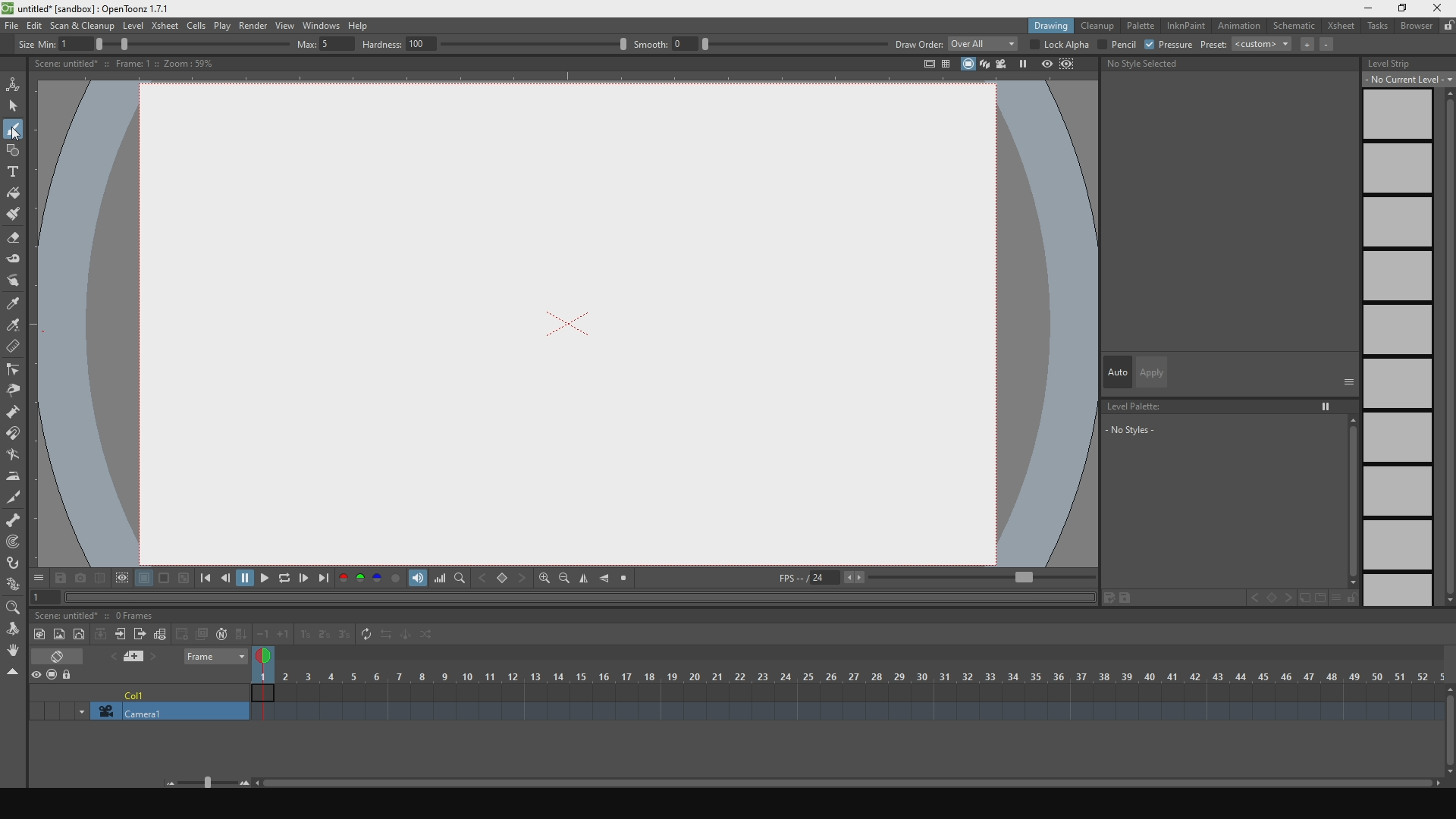  What do you see at coordinates (56, 674) in the screenshot?
I see `stop` at bounding box center [56, 674].